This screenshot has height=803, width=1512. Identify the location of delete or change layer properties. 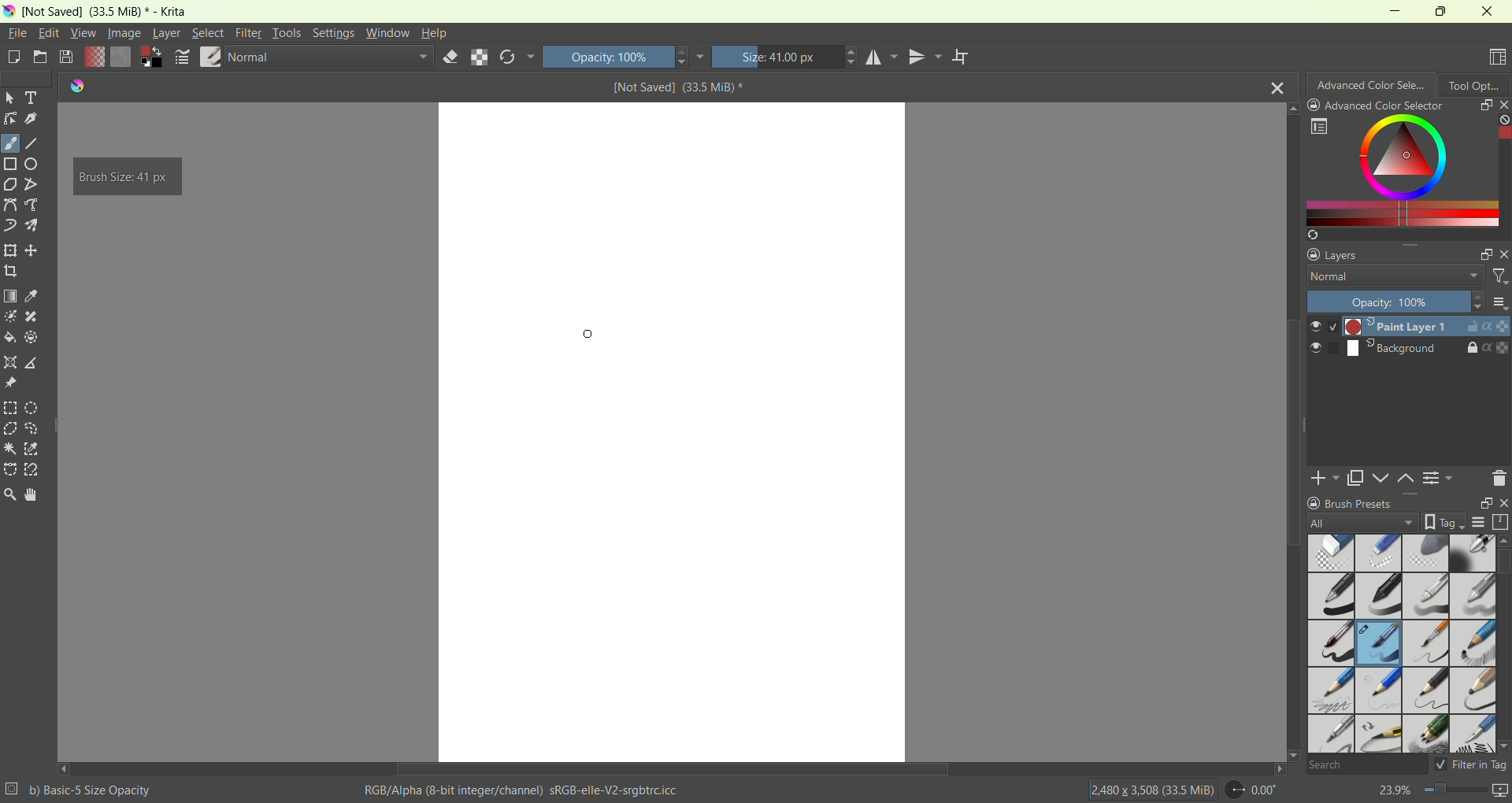
(1440, 480).